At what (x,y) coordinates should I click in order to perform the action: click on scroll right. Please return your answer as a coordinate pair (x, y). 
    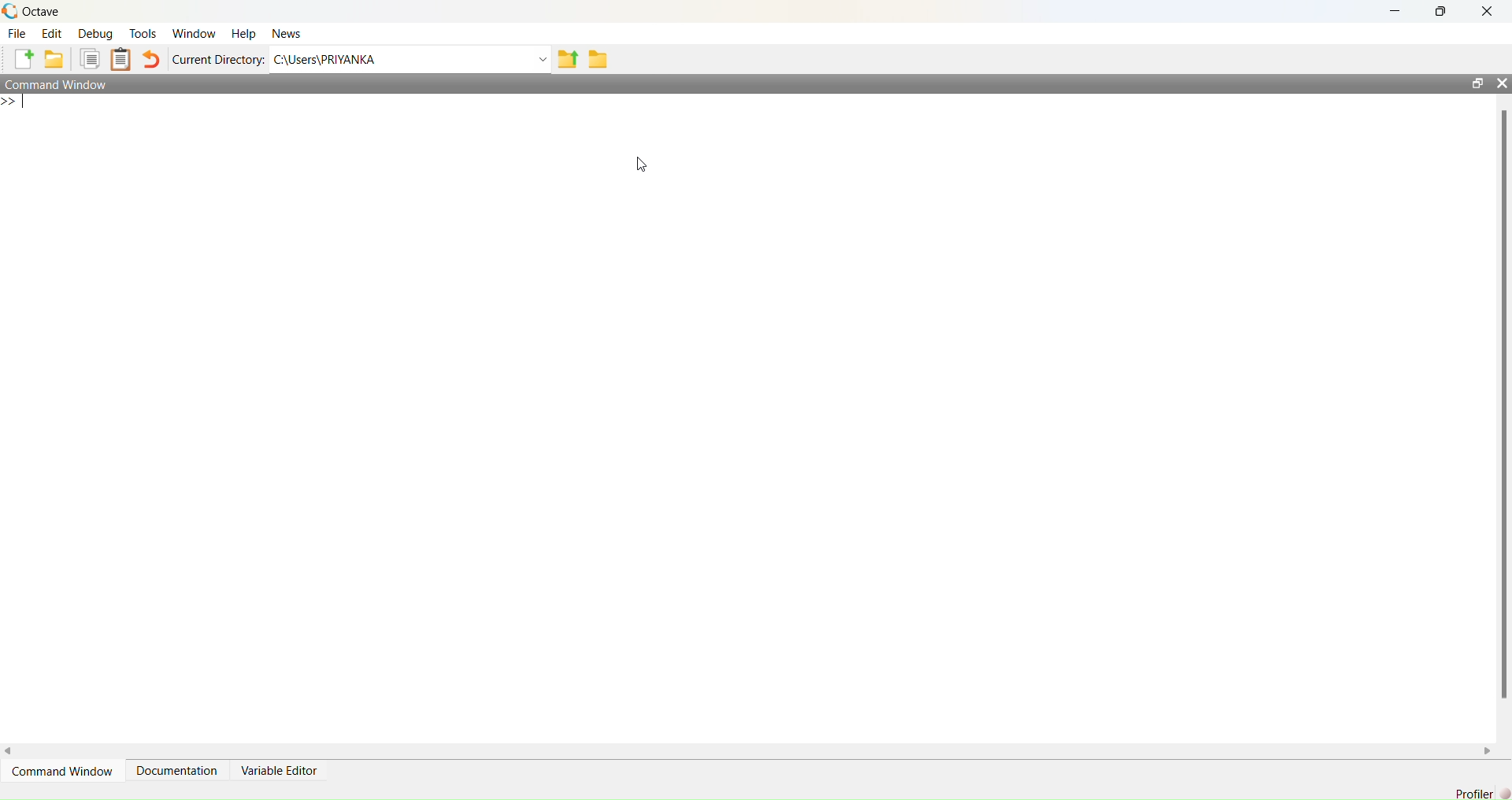
    Looking at the image, I should click on (1488, 751).